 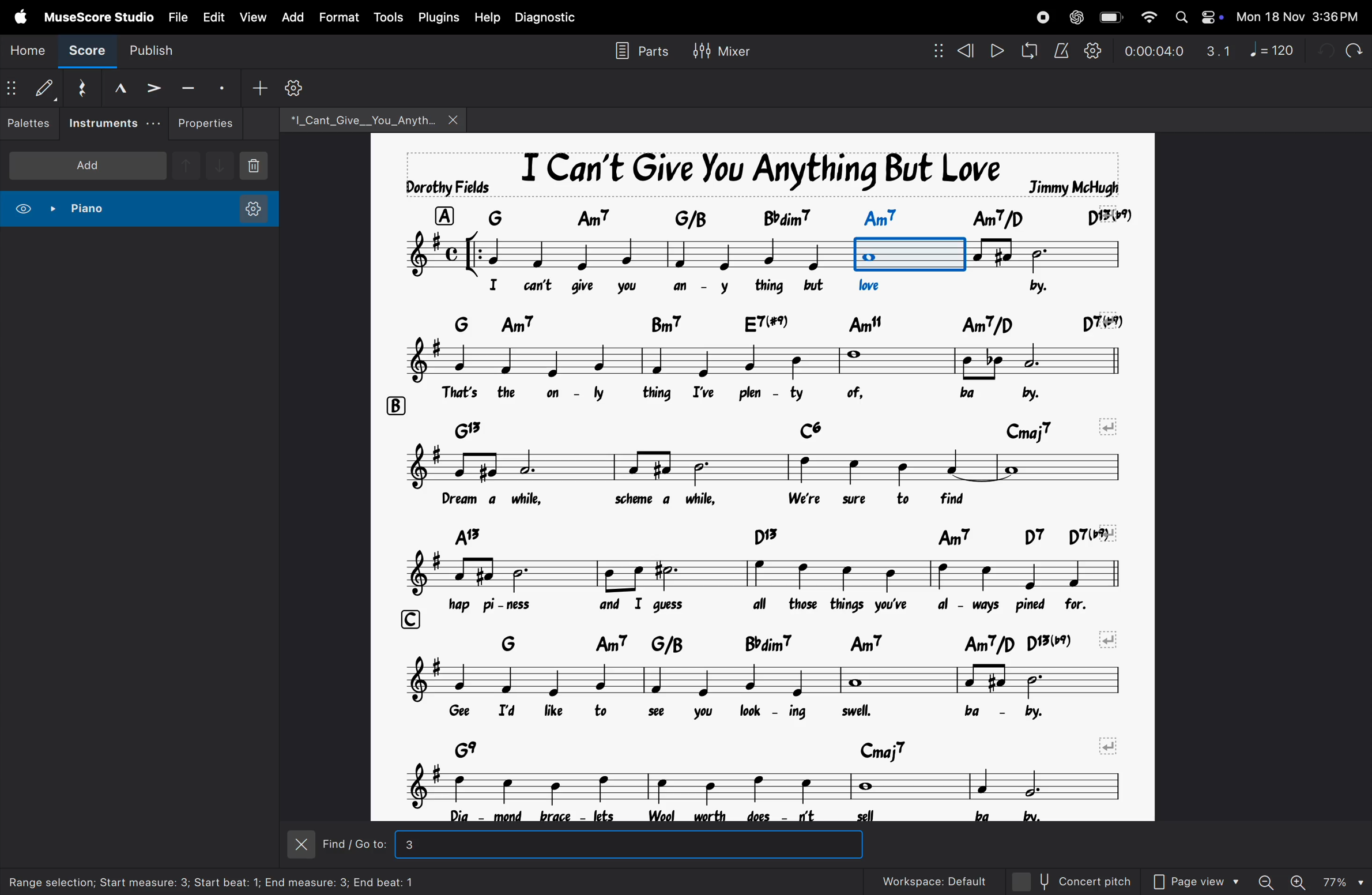 I want to click on redo, so click(x=1355, y=48).